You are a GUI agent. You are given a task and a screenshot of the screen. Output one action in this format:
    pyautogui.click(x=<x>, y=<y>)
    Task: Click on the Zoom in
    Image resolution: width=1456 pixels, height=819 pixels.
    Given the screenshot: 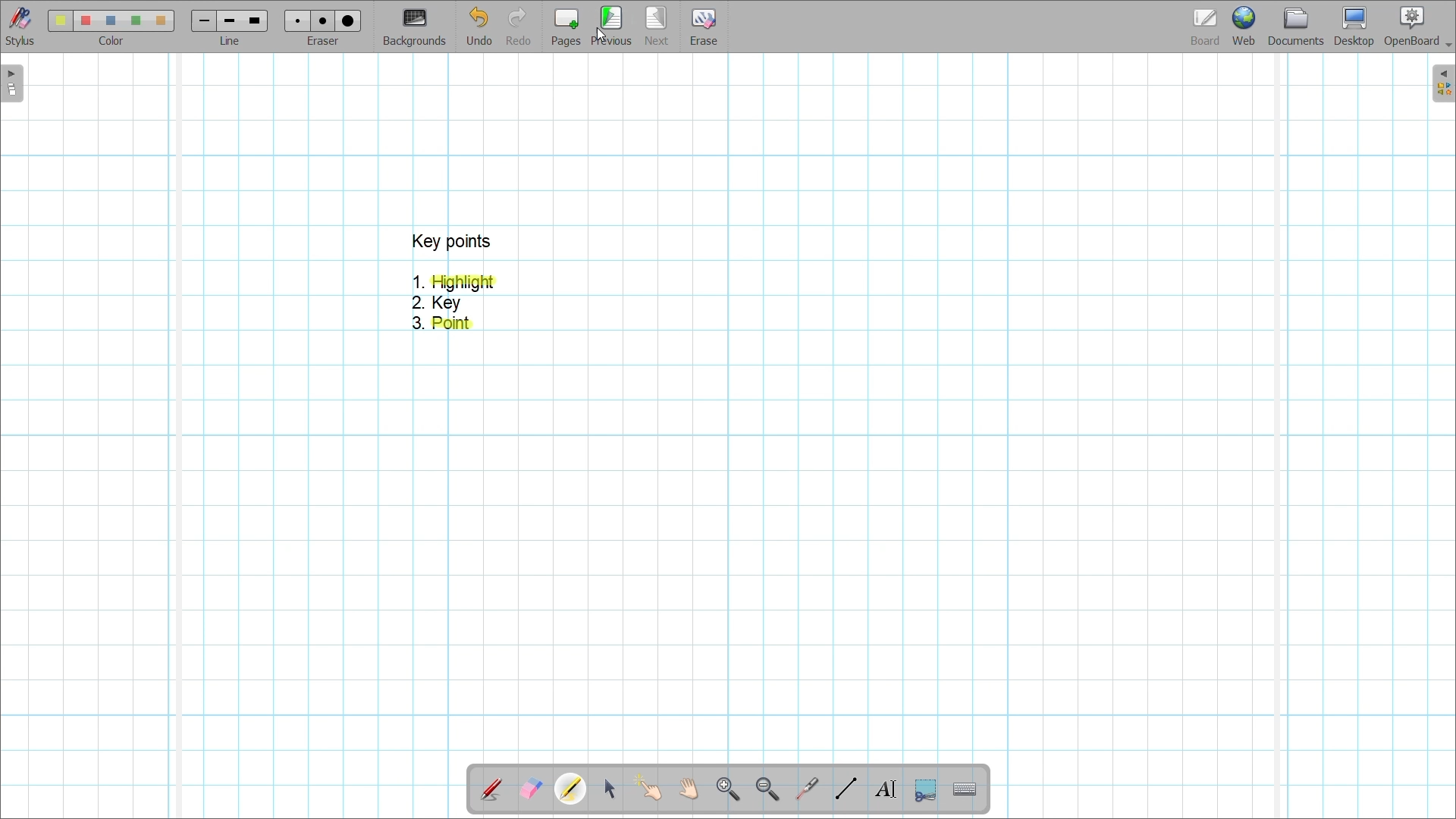 What is the action you would take?
    pyautogui.click(x=729, y=790)
    